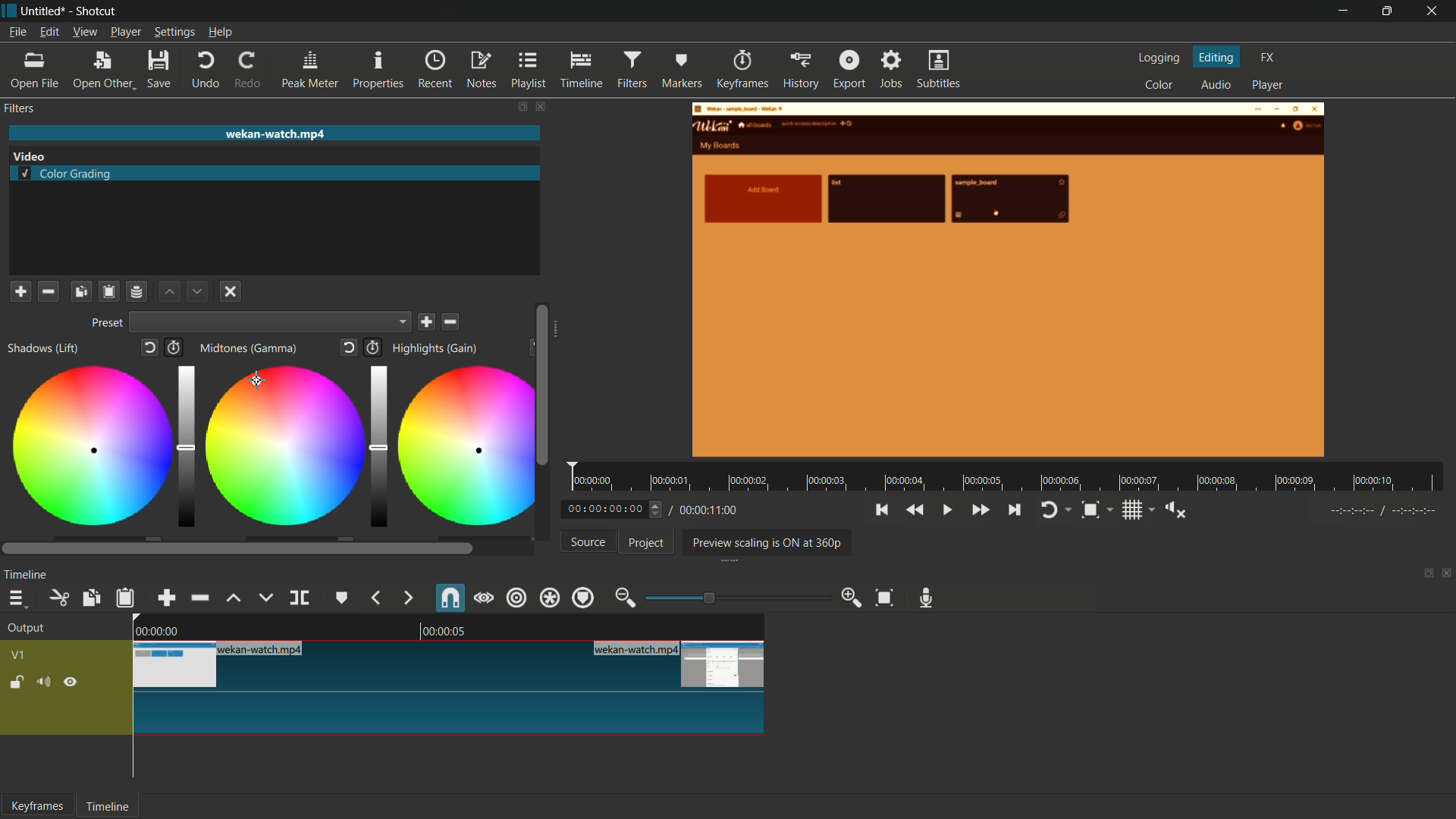 The image size is (1456, 819). Describe the element at coordinates (187, 447) in the screenshot. I see `adjustment bar` at that location.